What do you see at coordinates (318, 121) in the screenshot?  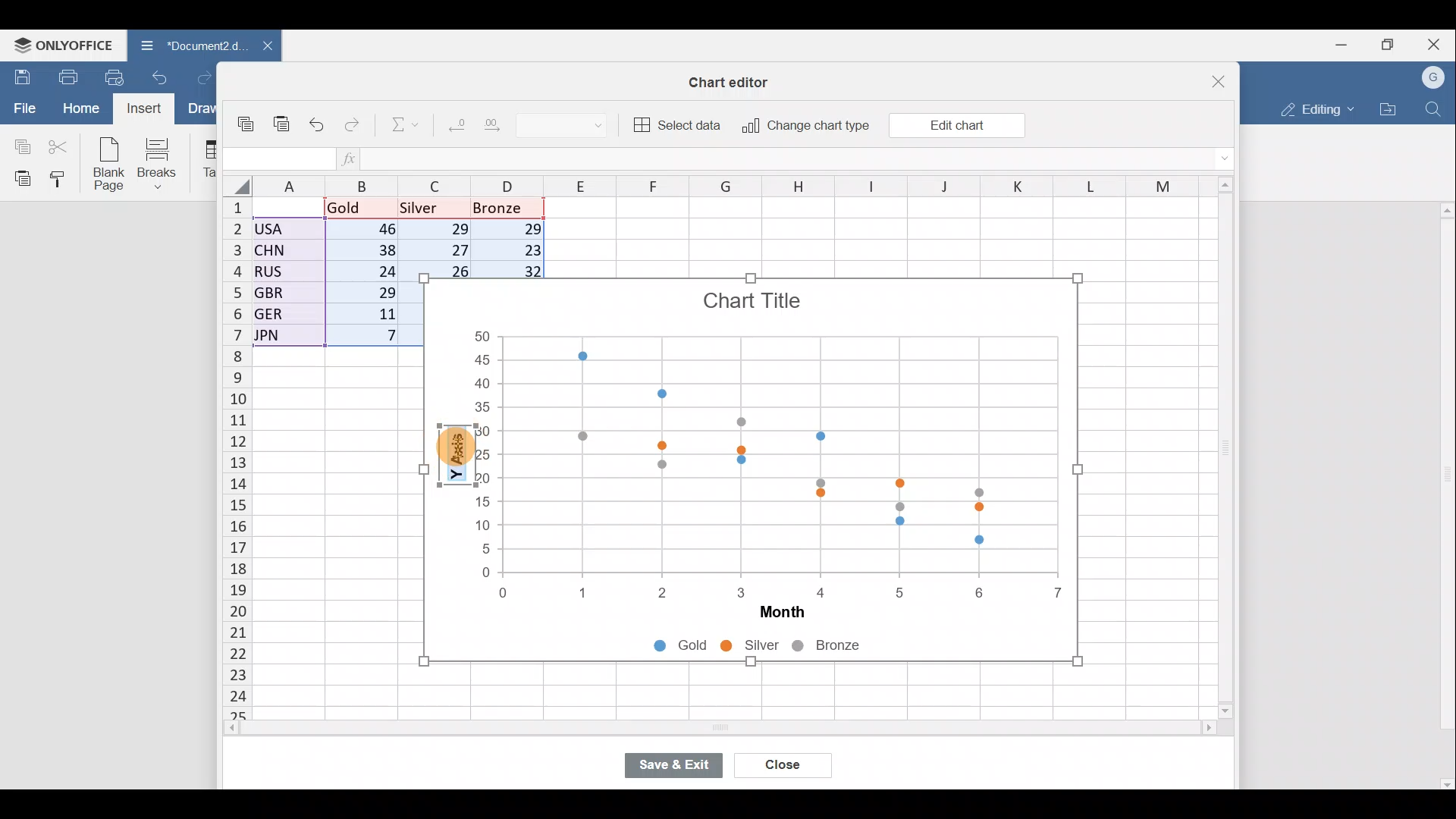 I see `Undo` at bounding box center [318, 121].